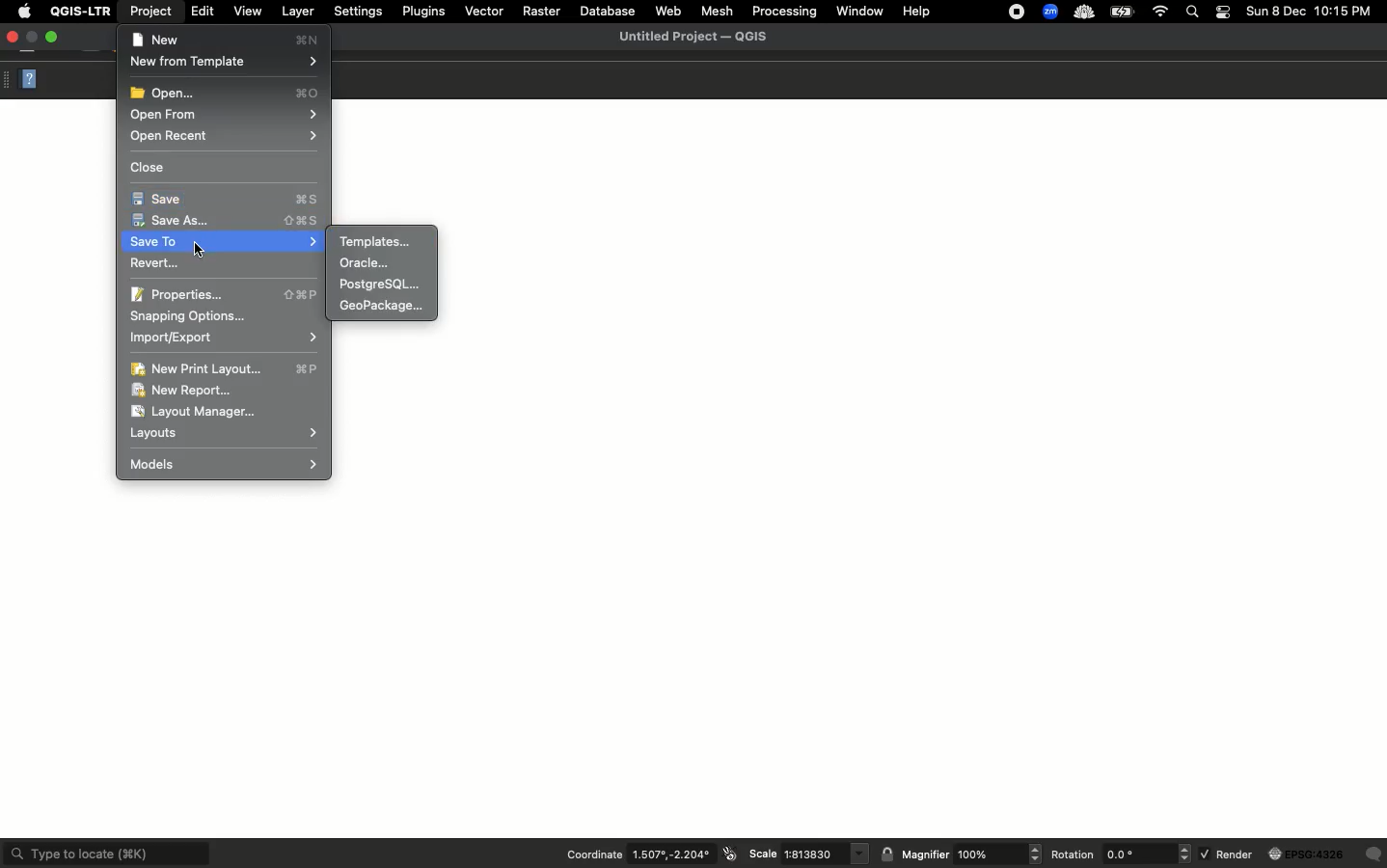 This screenshot has width=1387, height=868. Describe the element at coordinates (229, 38) in the screenshot. I see `New` at that location.